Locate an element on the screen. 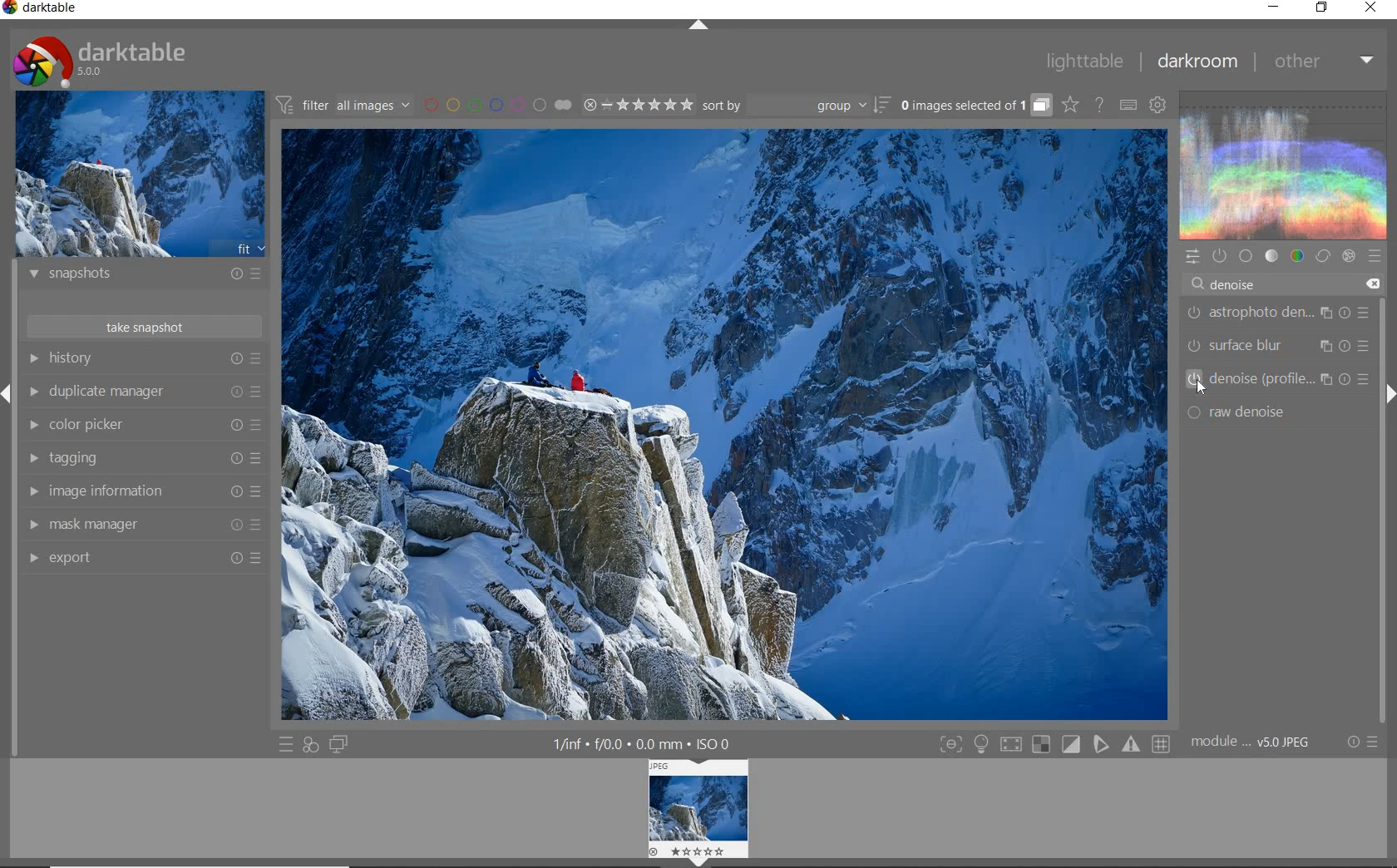 This screenshot has width=1397, height=868. color is located at coordinates (1298, 255).